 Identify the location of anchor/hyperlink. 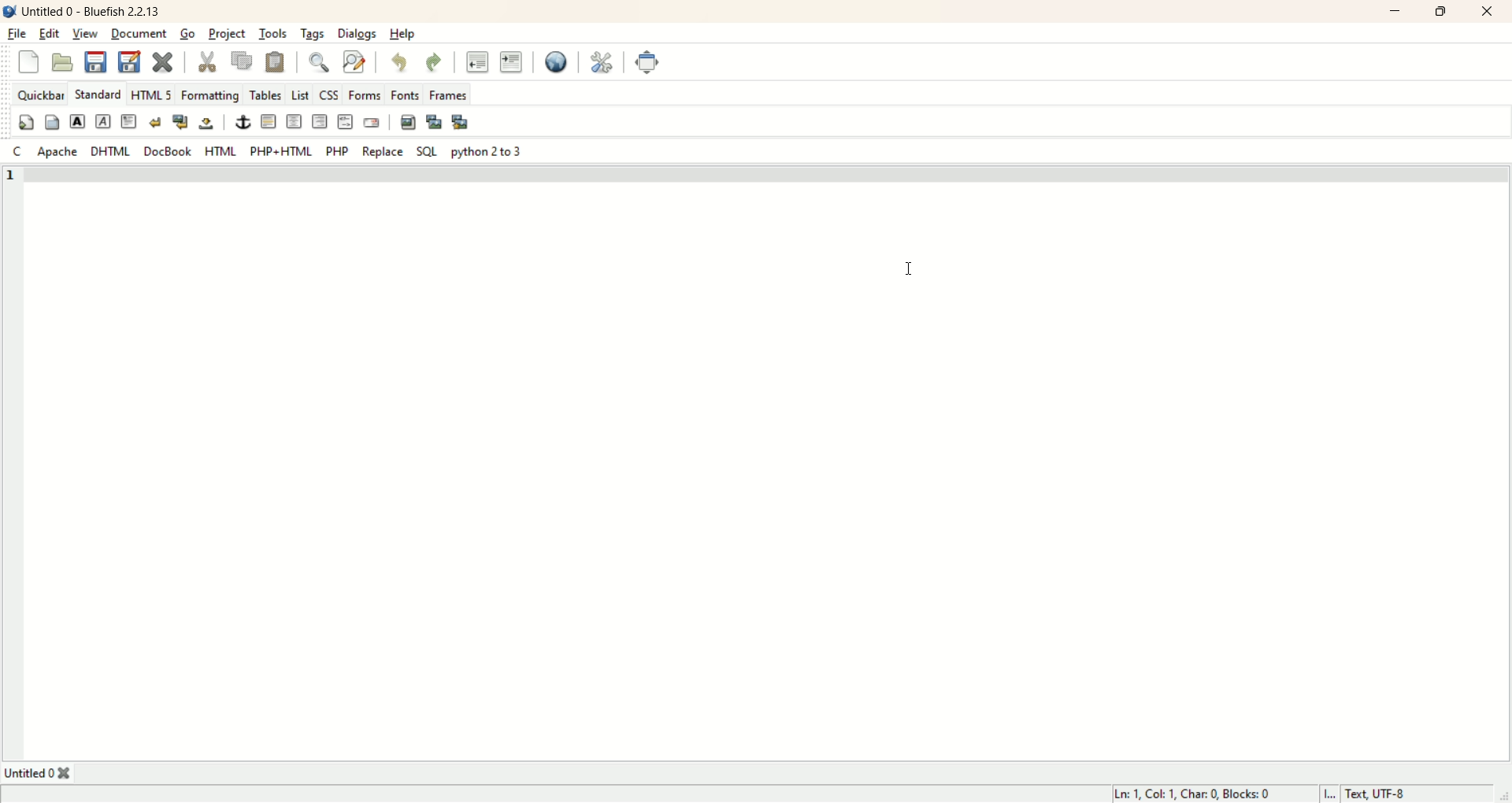
(243, 120).